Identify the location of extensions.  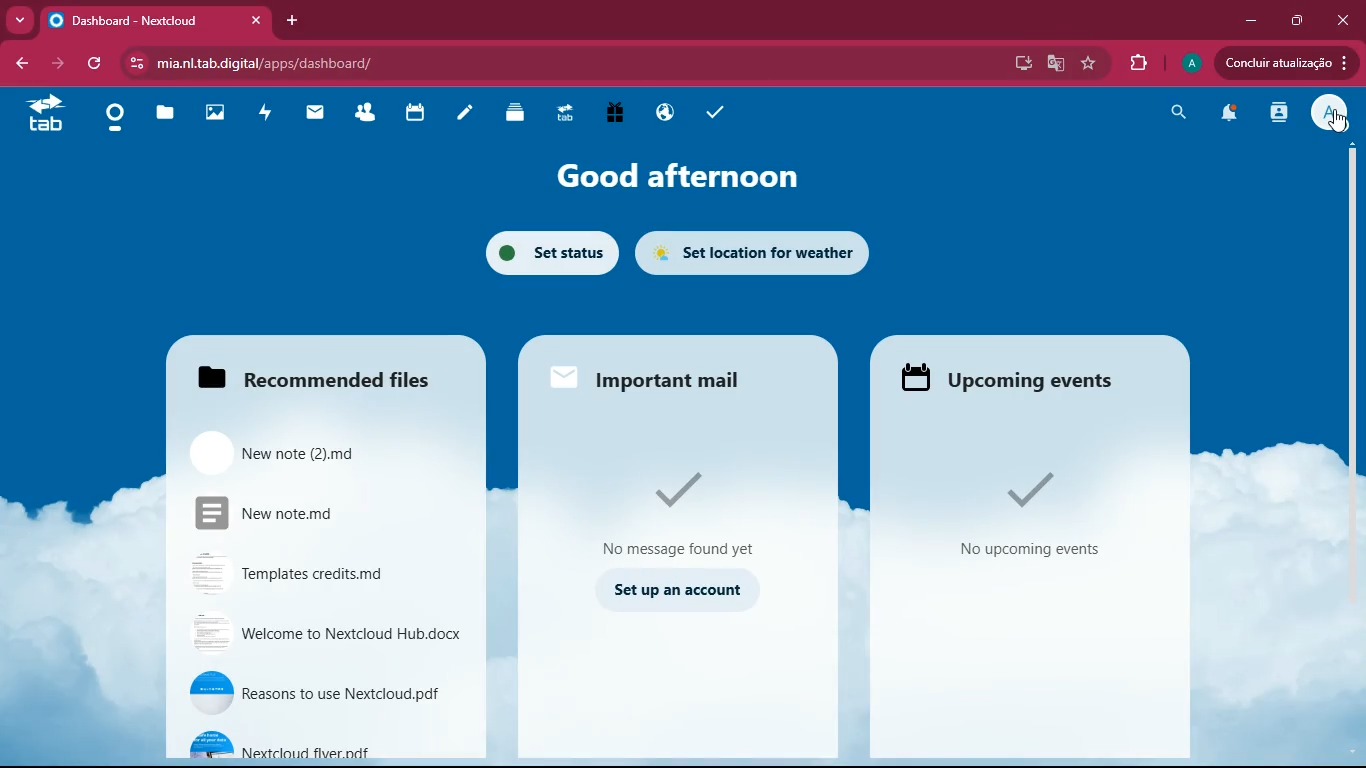
(1140, 63).